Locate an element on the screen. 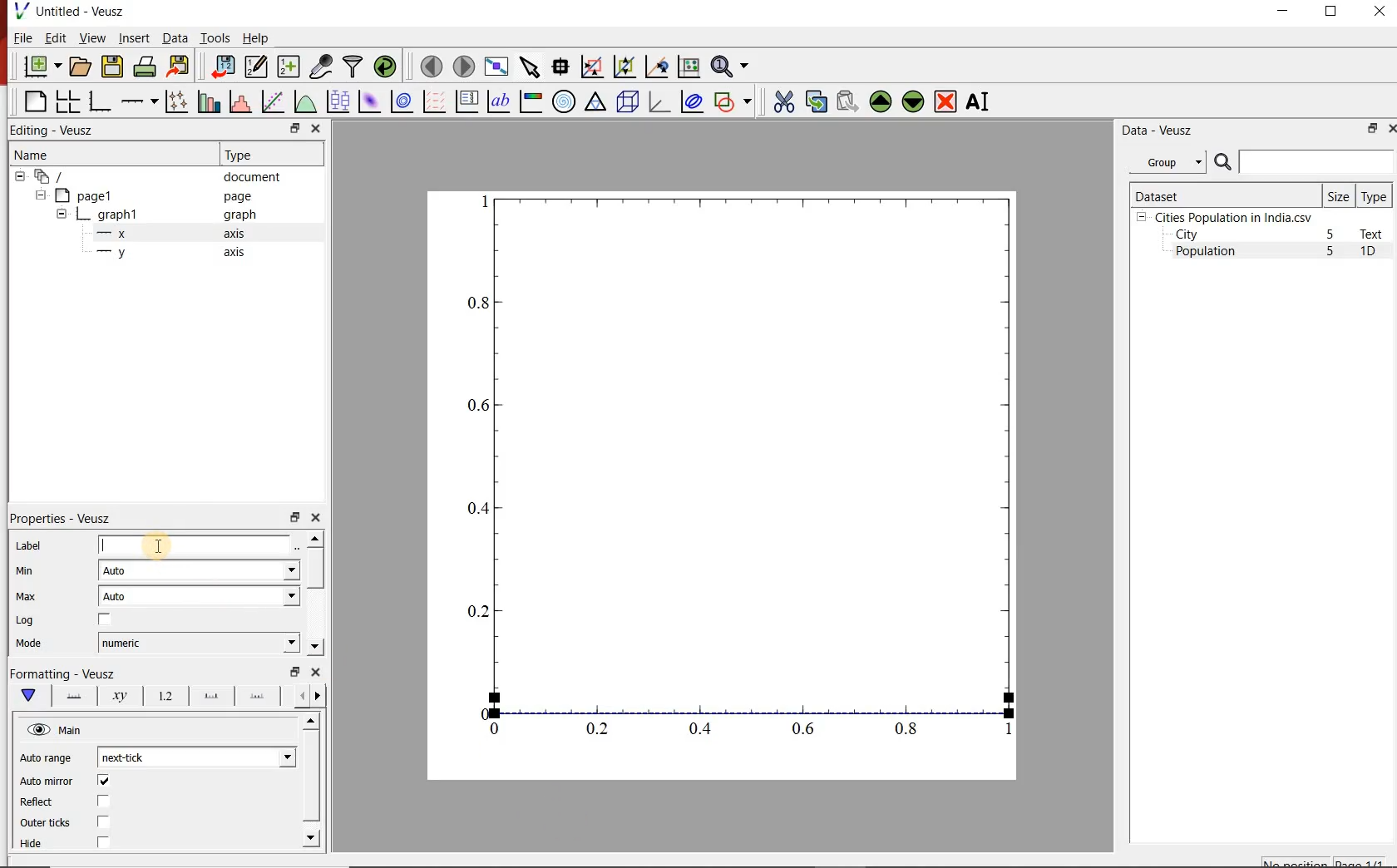 Image resolution: width=1397 pixels, height=868 pixels. plot key is located at coordinates (466, 101).